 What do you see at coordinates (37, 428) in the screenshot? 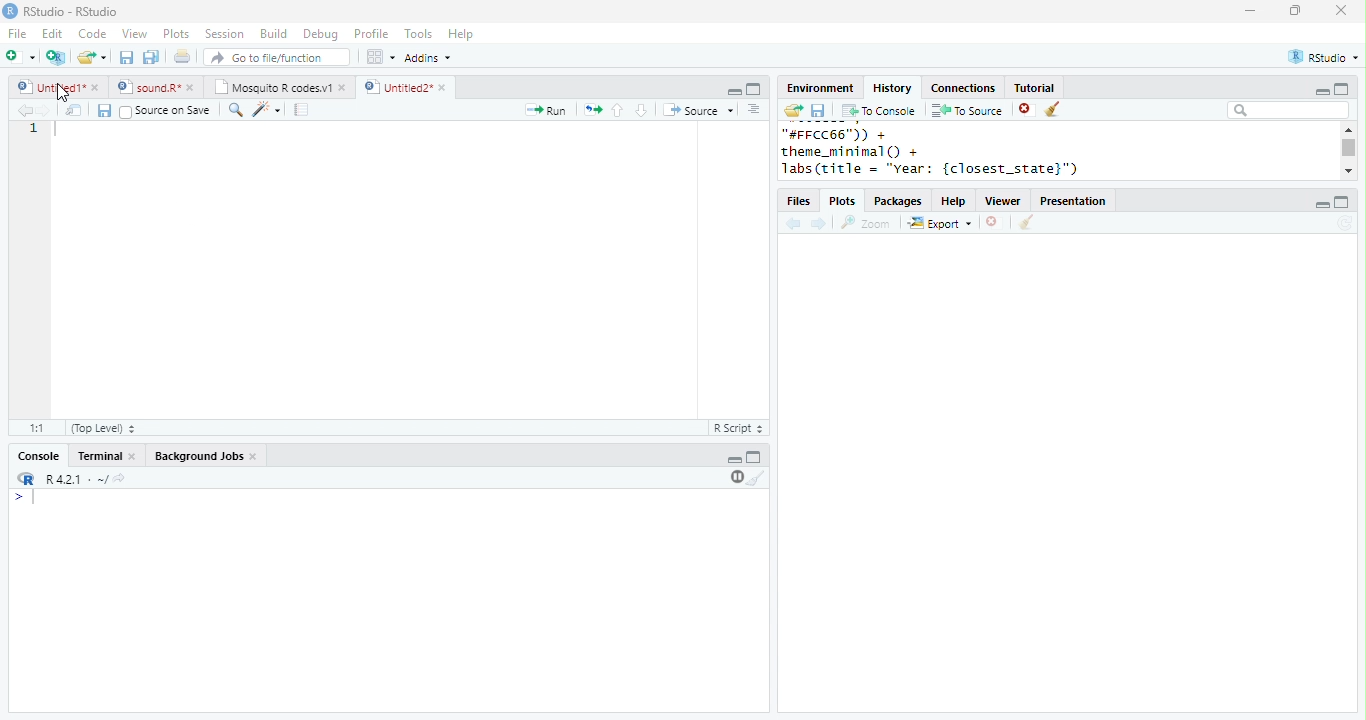
I see `1:1` at bounding box center [37, 428].